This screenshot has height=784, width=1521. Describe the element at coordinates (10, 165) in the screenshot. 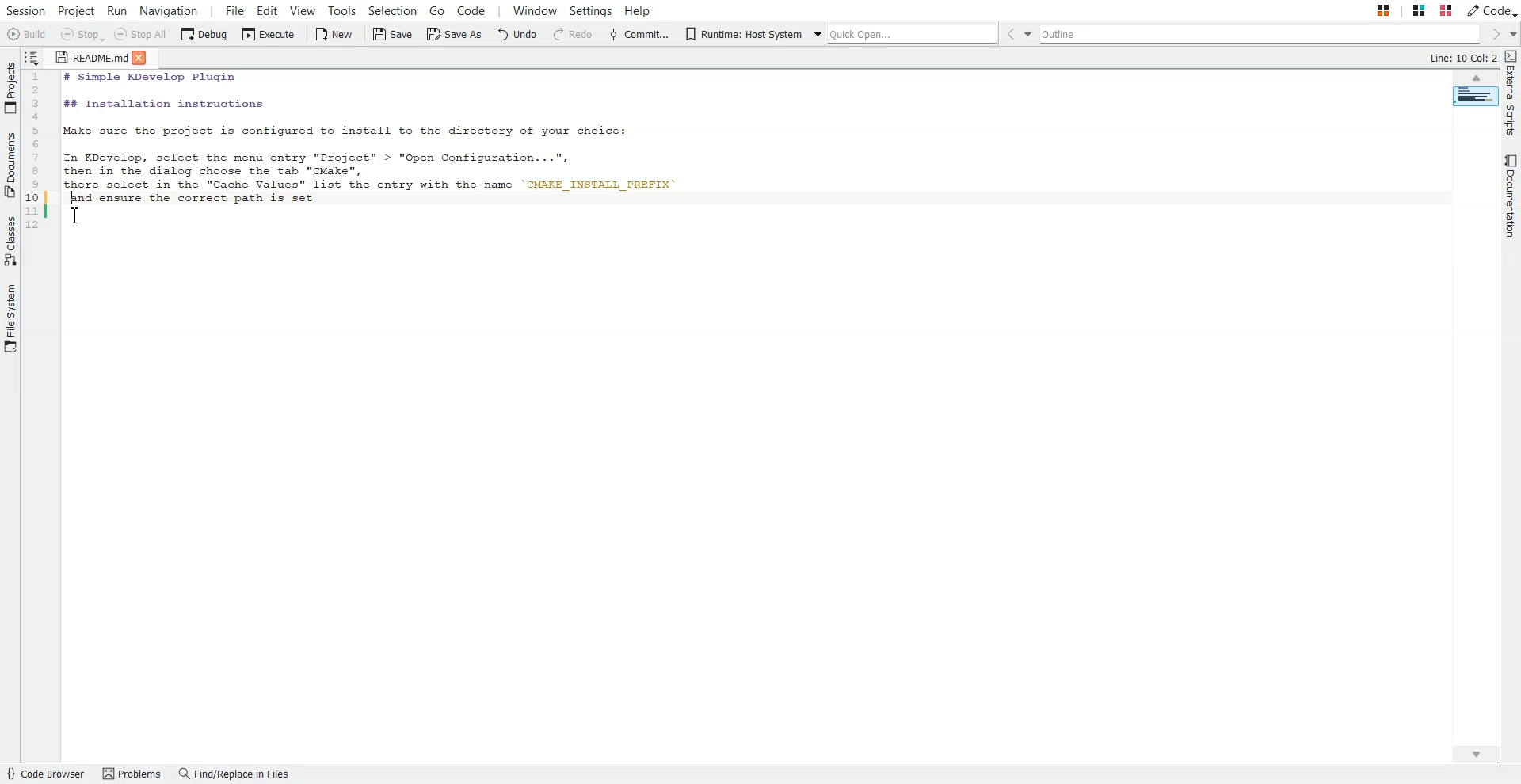

I see `Documents` at that location.